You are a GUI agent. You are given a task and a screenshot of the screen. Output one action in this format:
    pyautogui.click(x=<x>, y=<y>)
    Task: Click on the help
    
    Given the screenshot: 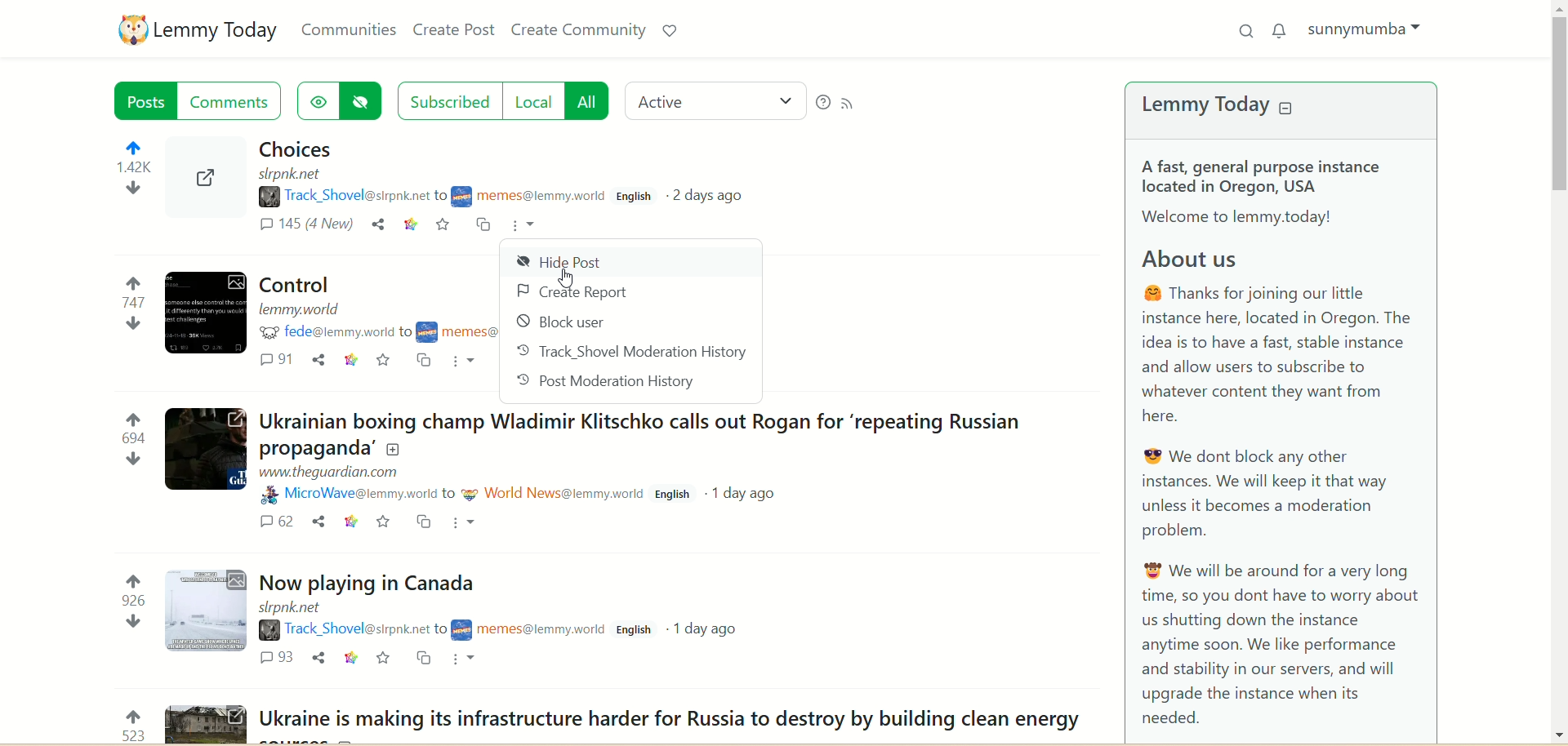 What is the action you would take?
    pyautogui.click(x=821, y=104)
    